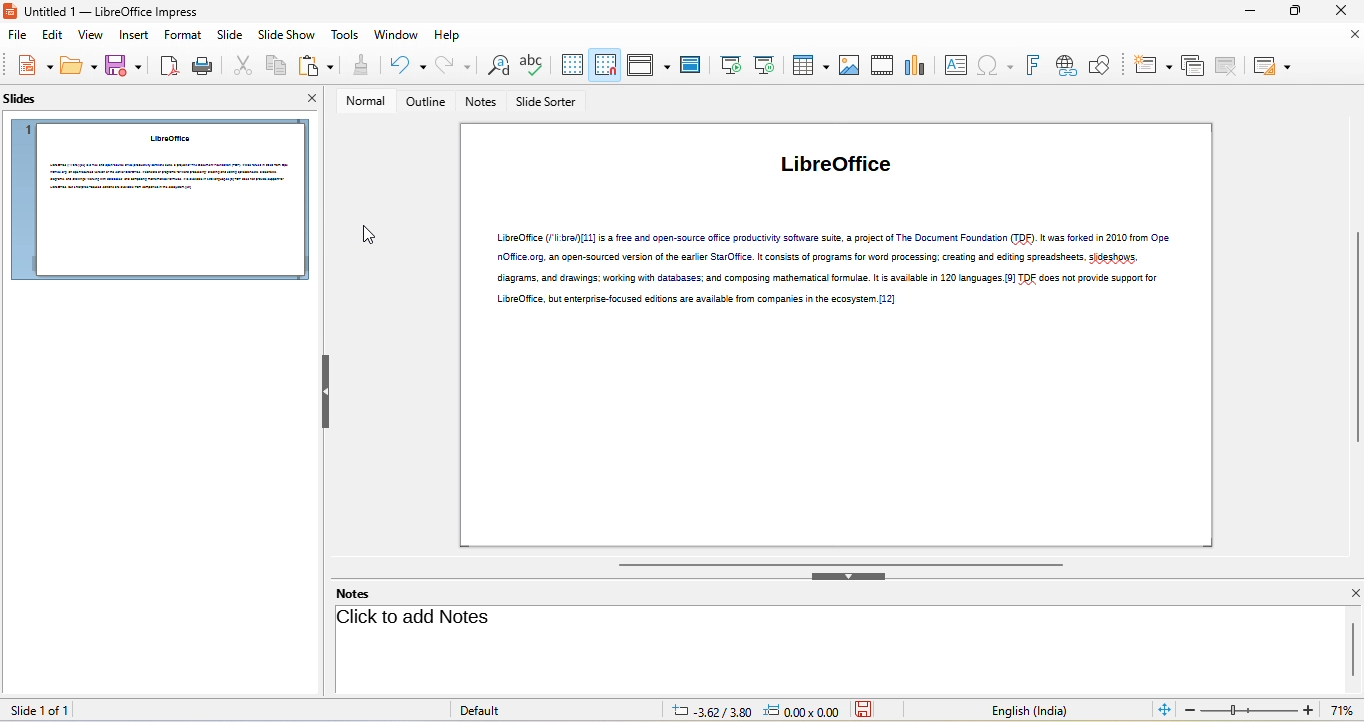 Image resolution: width=1364 pixels, height=722 pixels. I want to click on libre office, so click(844, 170).